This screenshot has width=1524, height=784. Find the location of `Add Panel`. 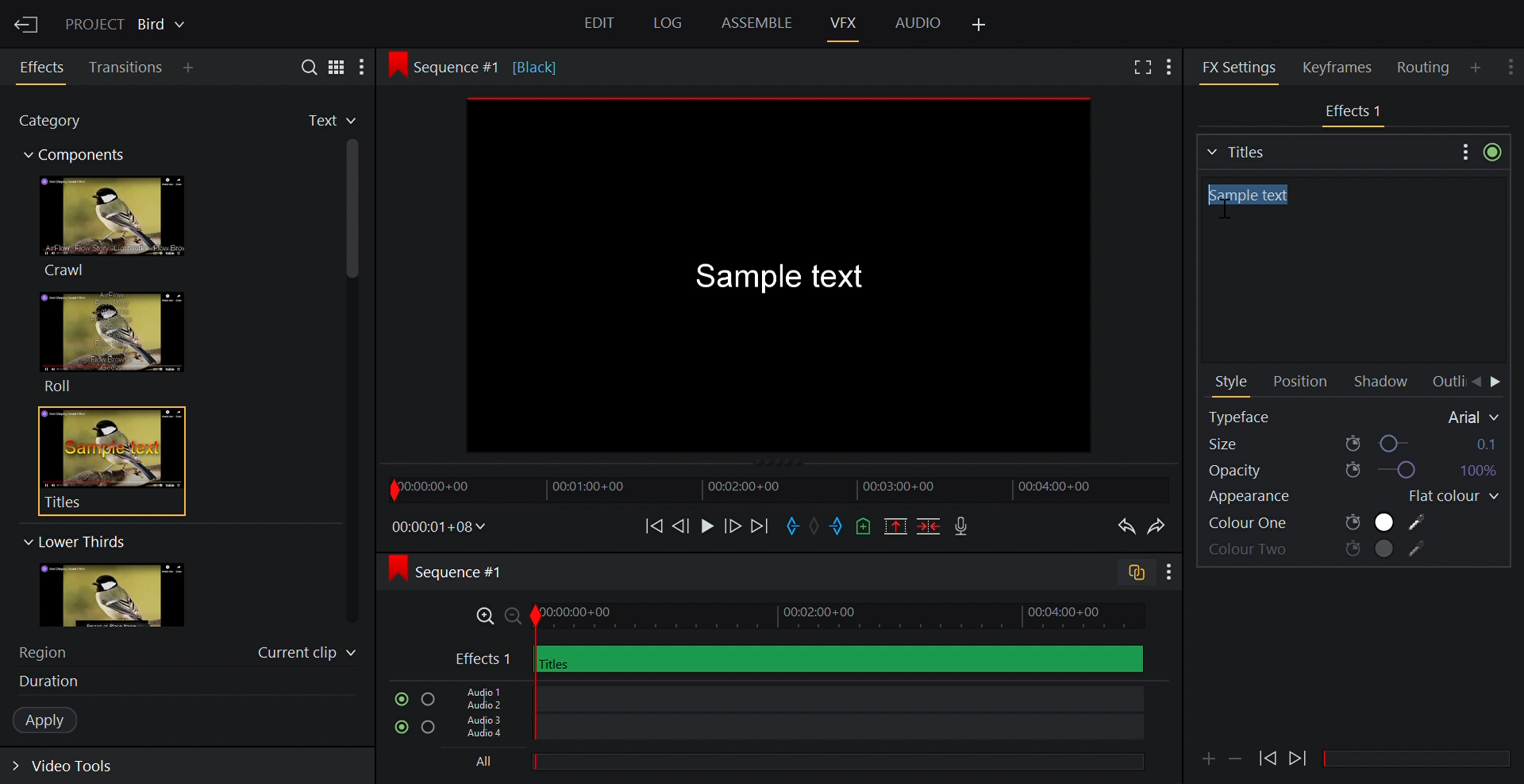

Add Panel is located at coordinates (1478, 67).